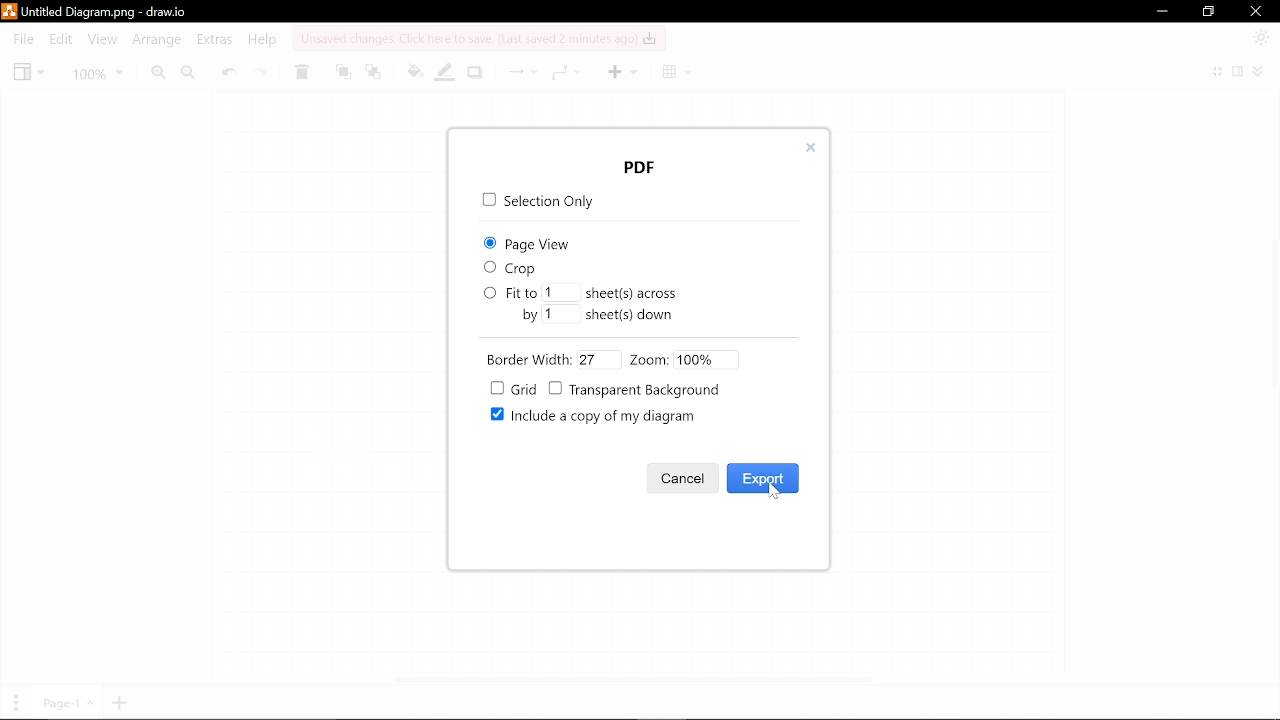 This screenshot has height=720, width=1280. Describe the element at coordinates (555, 359) in the screenshot. I see `Border width` at that location.